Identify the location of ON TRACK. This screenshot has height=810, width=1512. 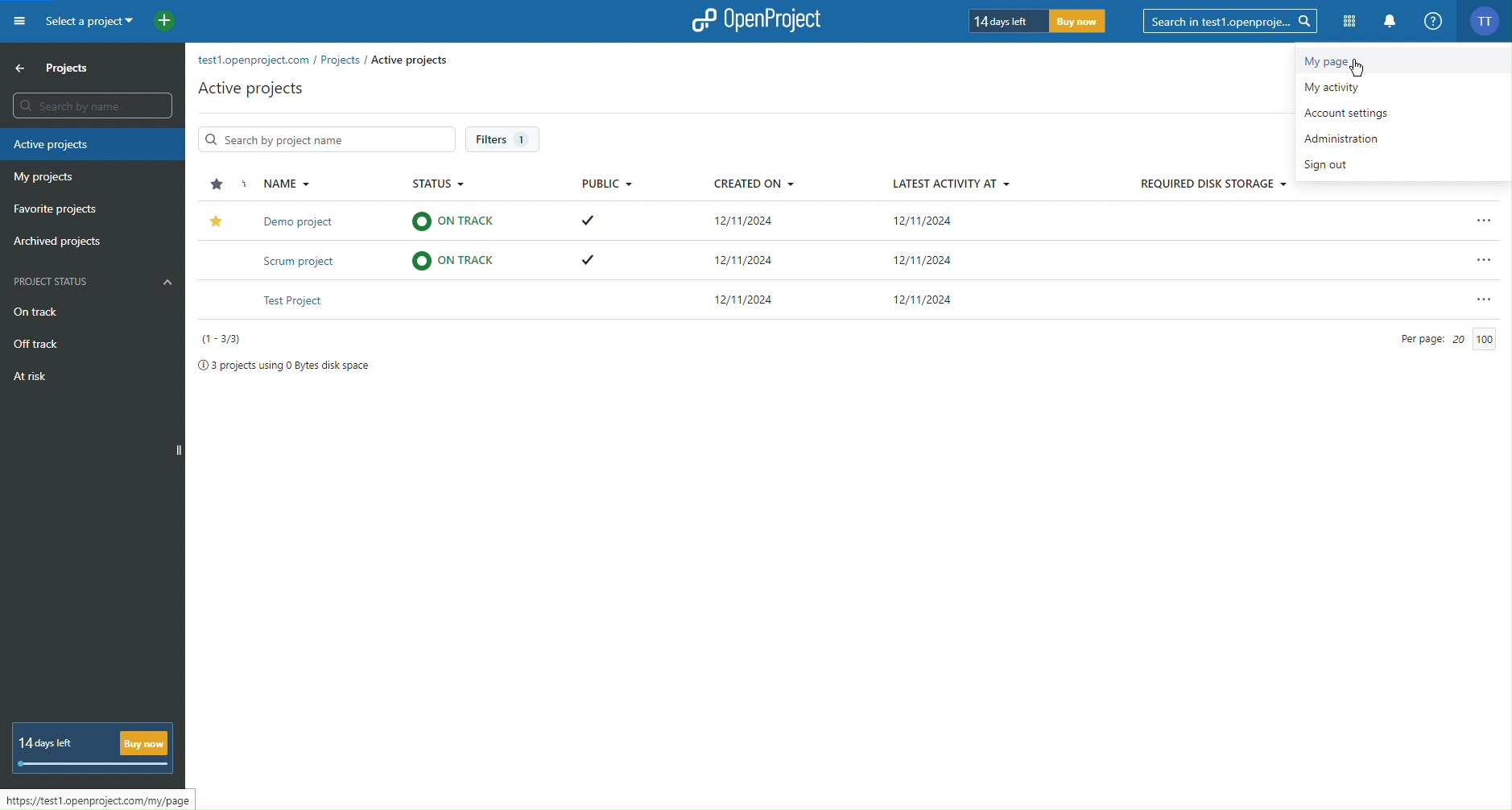
(458, 261).